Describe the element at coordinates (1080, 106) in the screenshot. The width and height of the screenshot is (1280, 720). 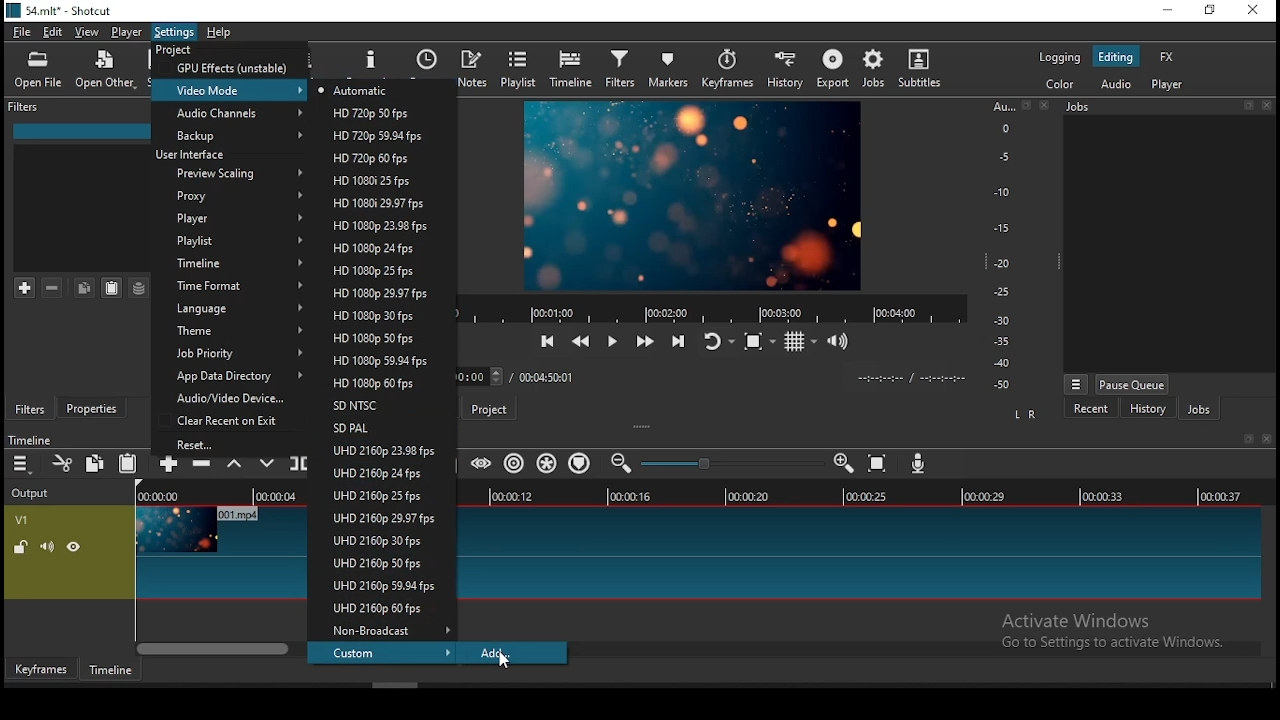
I see `jobs` at that location.